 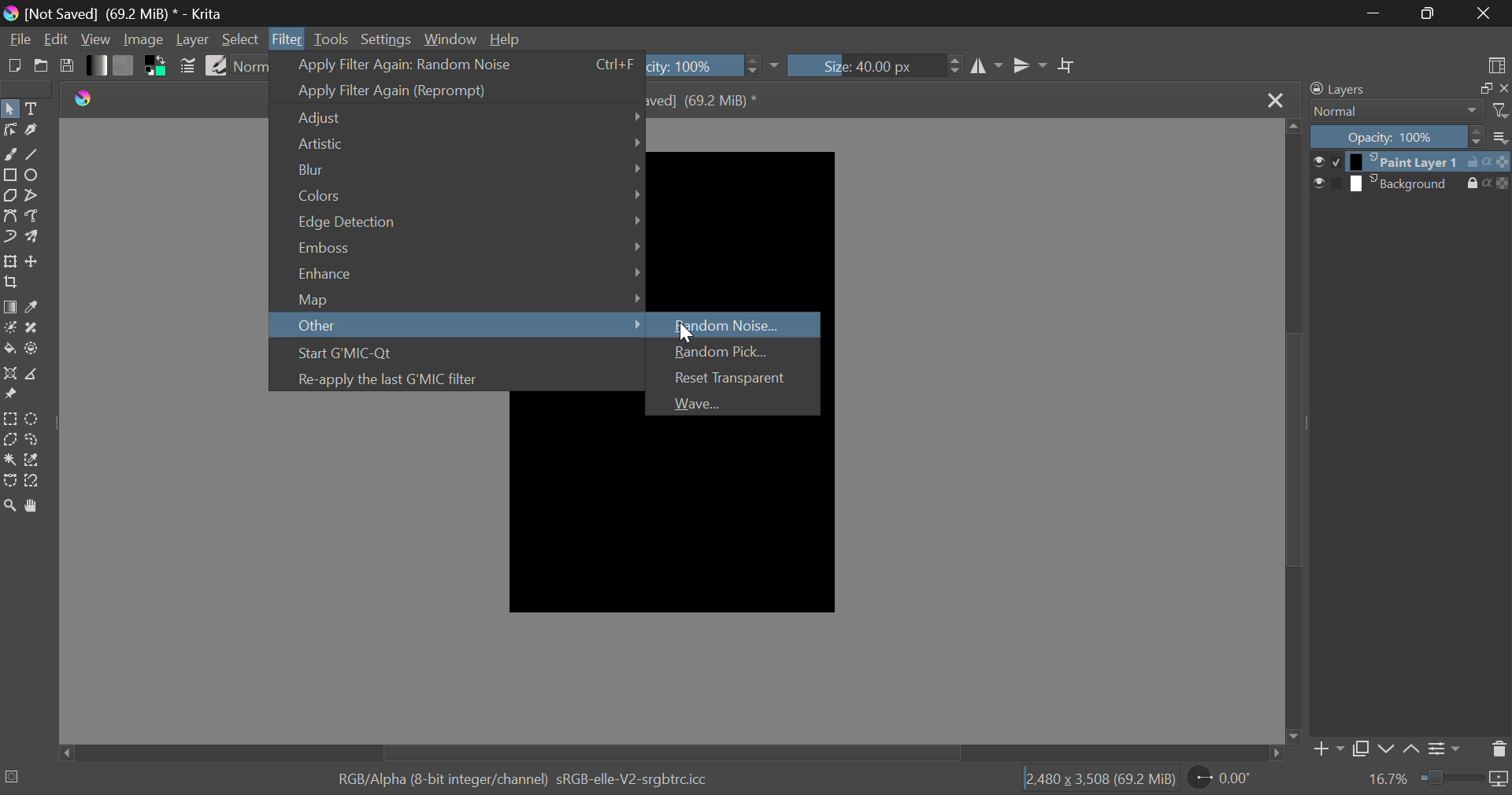 What do you see at coordinates (387, 38) in the screenshot?
I see `Settings` at bounding box center [387, 38].